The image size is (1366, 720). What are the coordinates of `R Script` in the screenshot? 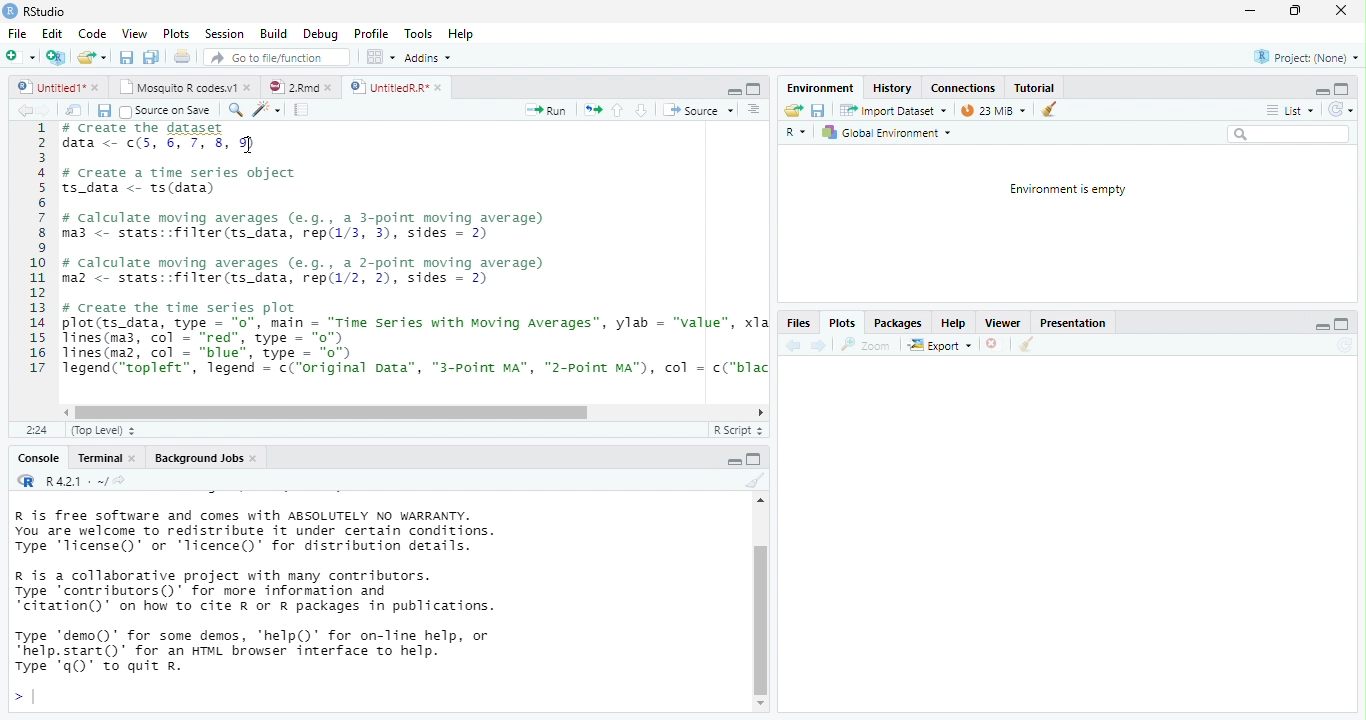 It's located at (736, 430).